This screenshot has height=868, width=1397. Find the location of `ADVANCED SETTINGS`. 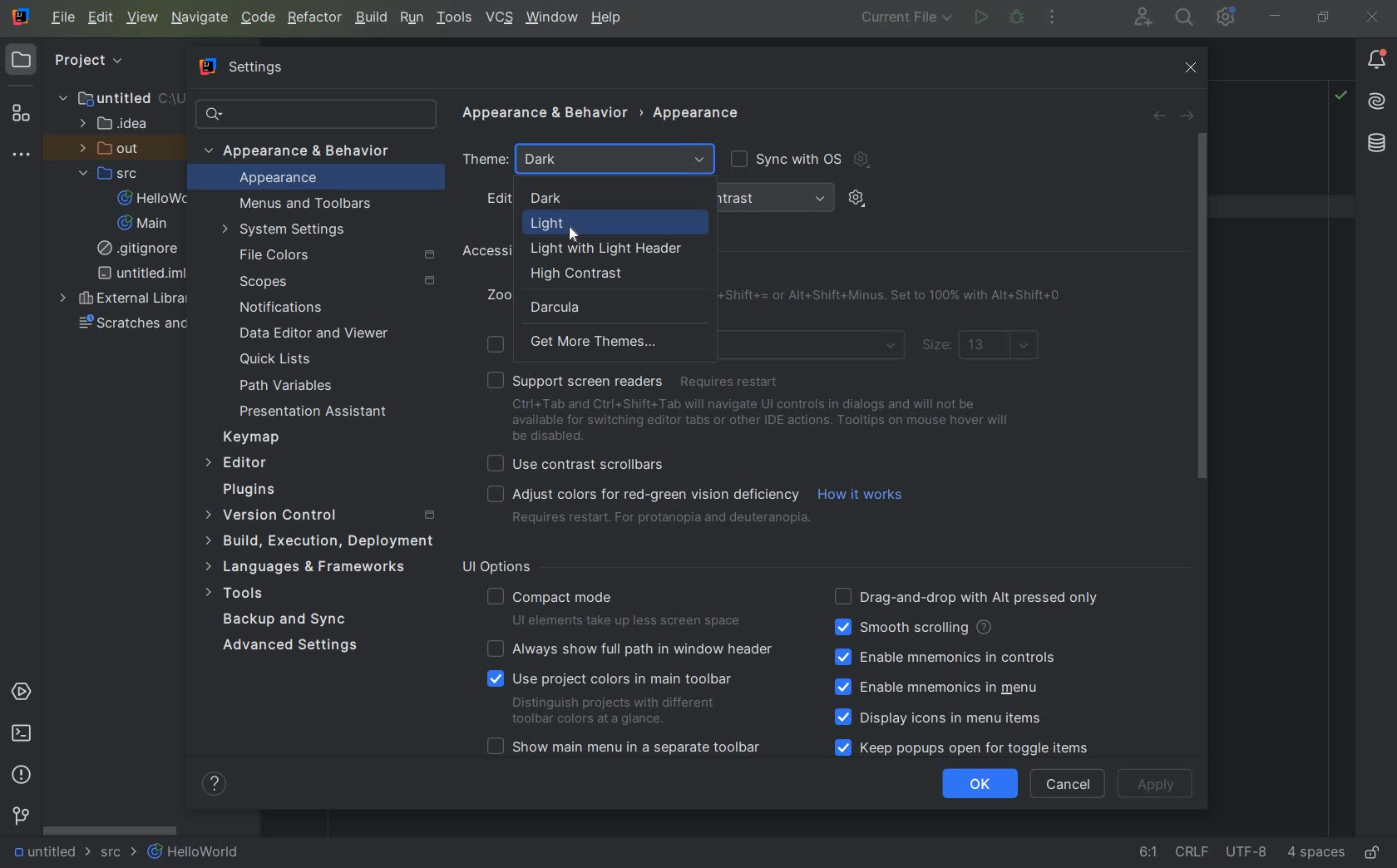

ADVANCED SETTINGS is located at coordinates (289, 649).